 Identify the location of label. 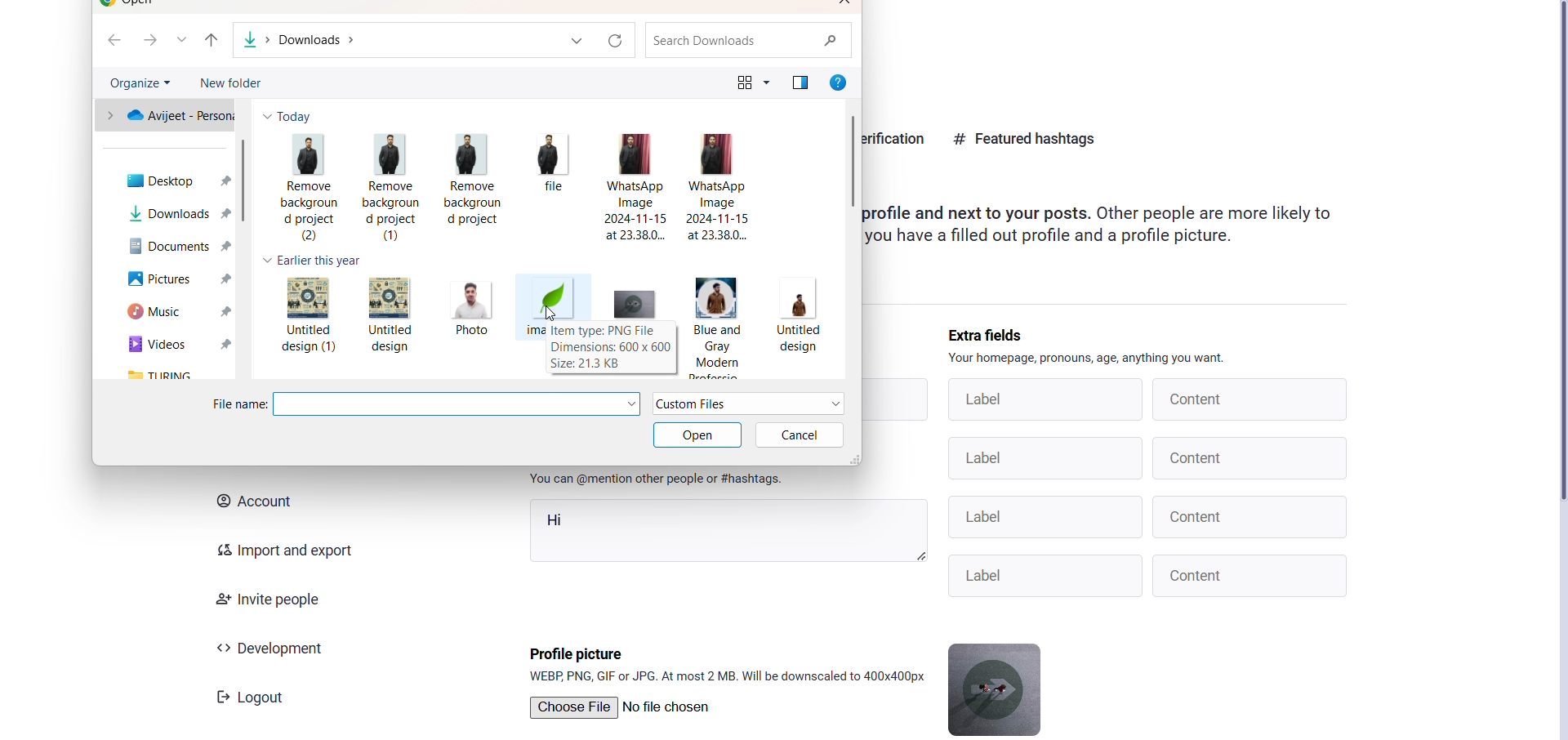
(1040, 399).